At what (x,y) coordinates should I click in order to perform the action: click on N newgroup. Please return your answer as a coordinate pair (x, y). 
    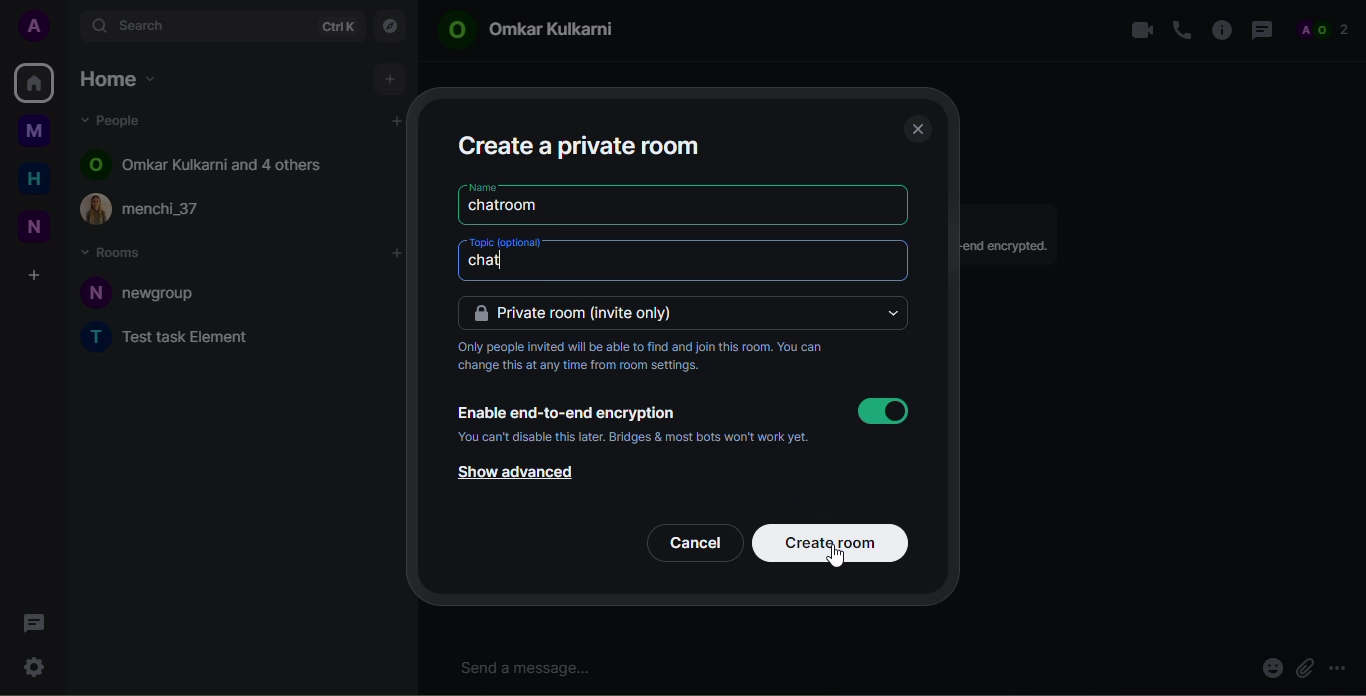
    Looking at the image, I should click on (155, 295).